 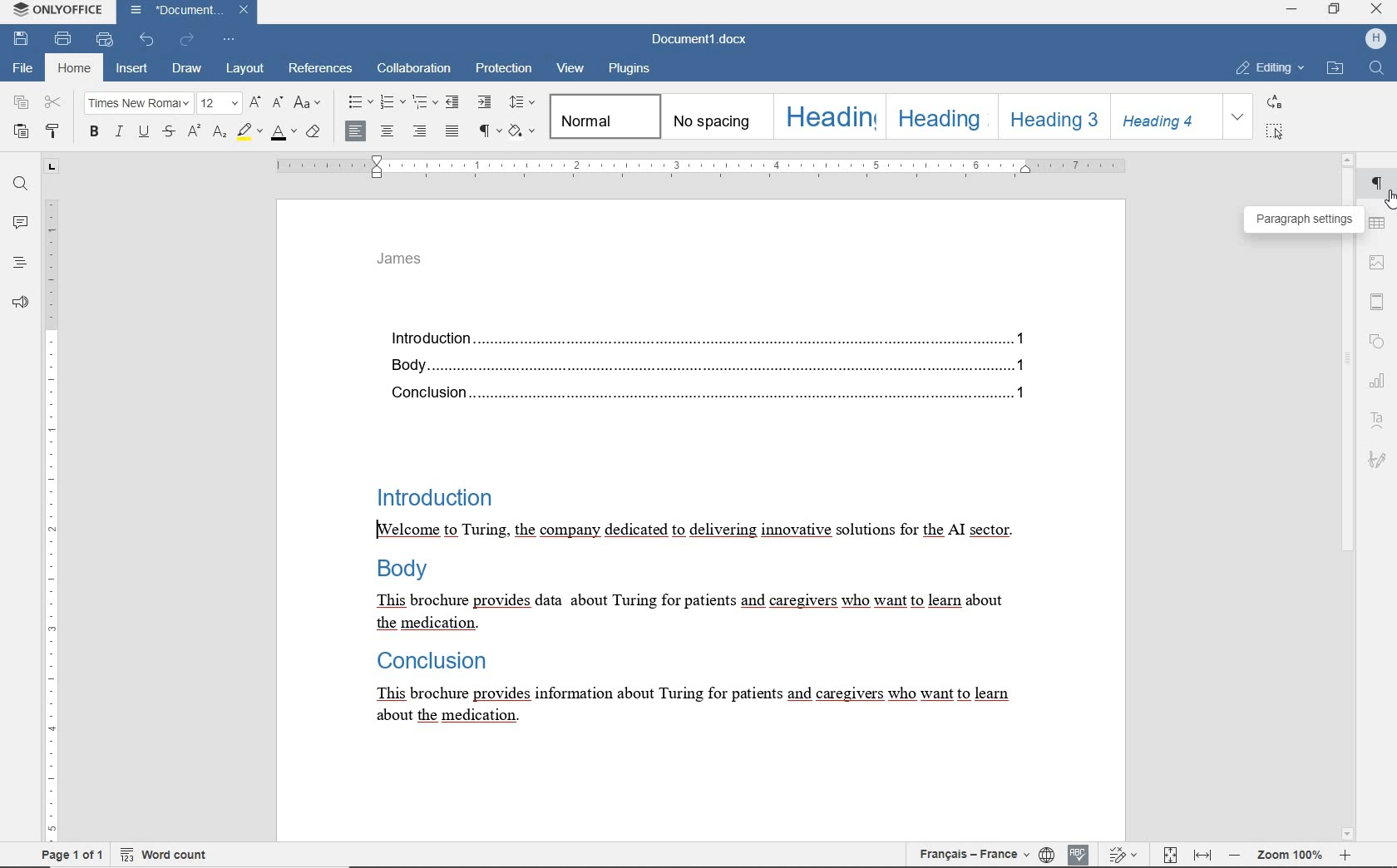 What do you see at coordinates (700, 40) in the screenshot?
I see `document name` at bounding box center [700, 40].